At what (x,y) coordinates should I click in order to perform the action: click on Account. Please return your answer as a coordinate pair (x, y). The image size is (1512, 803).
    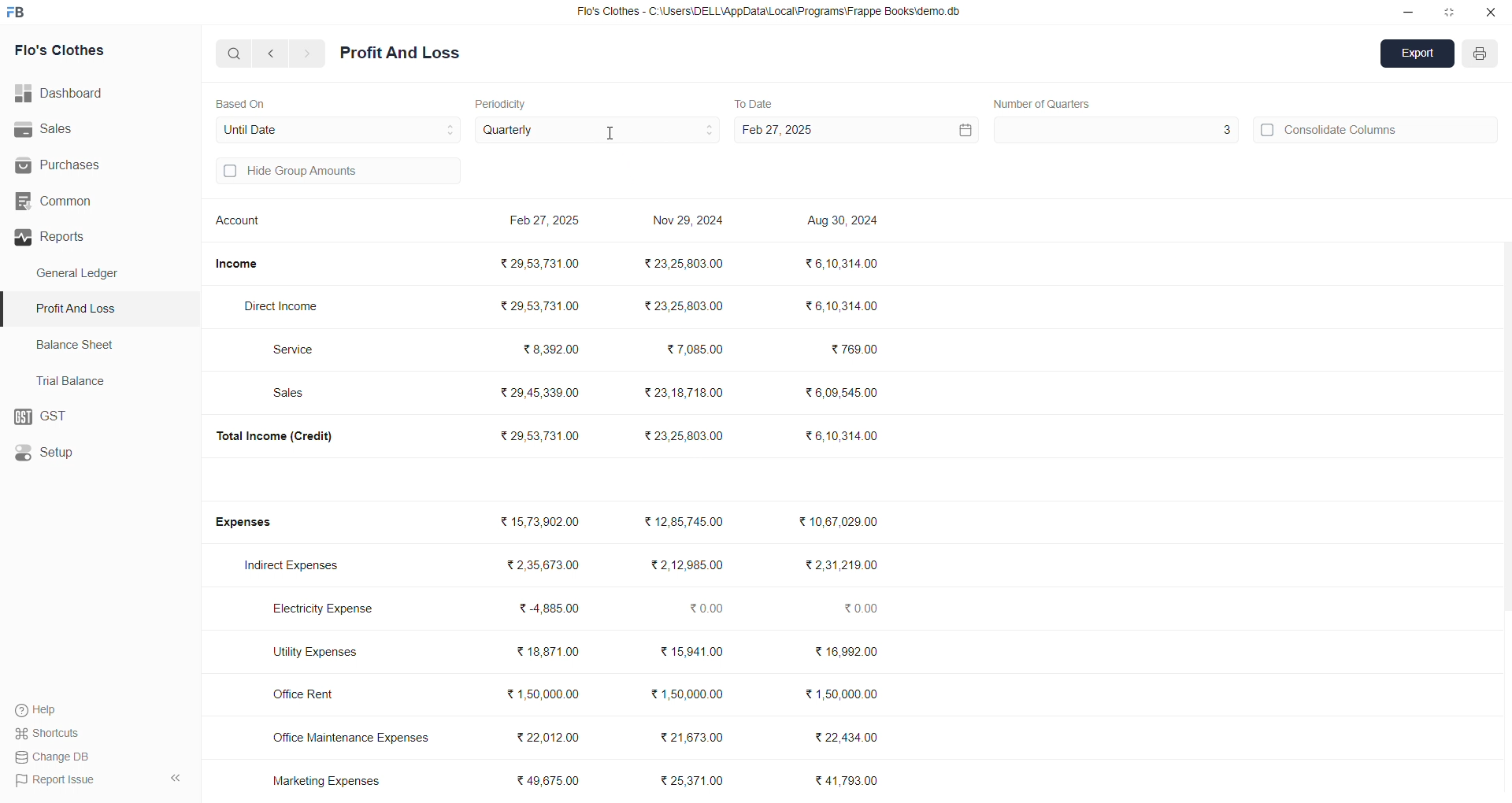
    Looking at the image, I should click on (242, 223).